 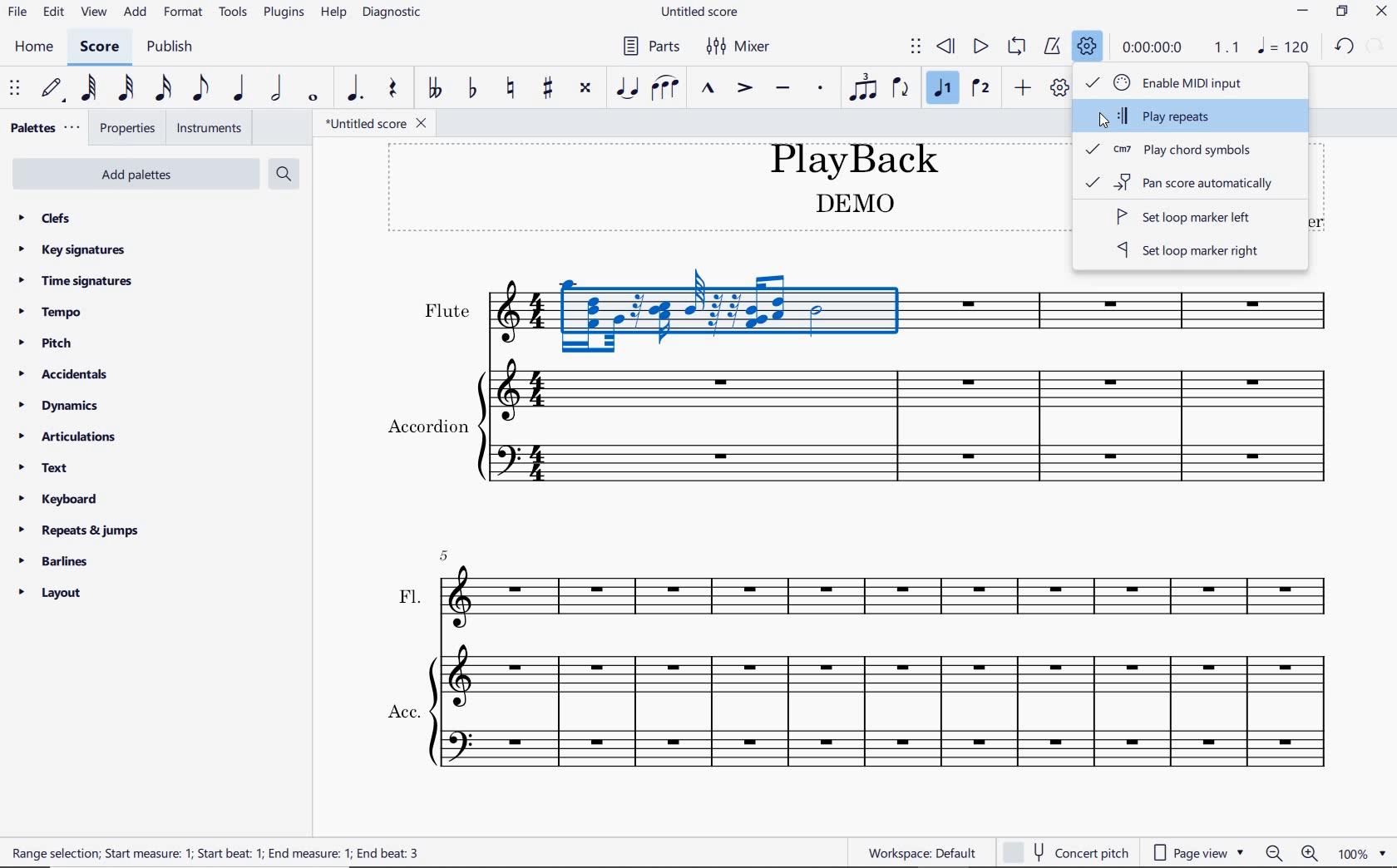 What do you see at coordinates (47, 128) in the screenshot?
I see `palettes` at bounding box center [47, 128].